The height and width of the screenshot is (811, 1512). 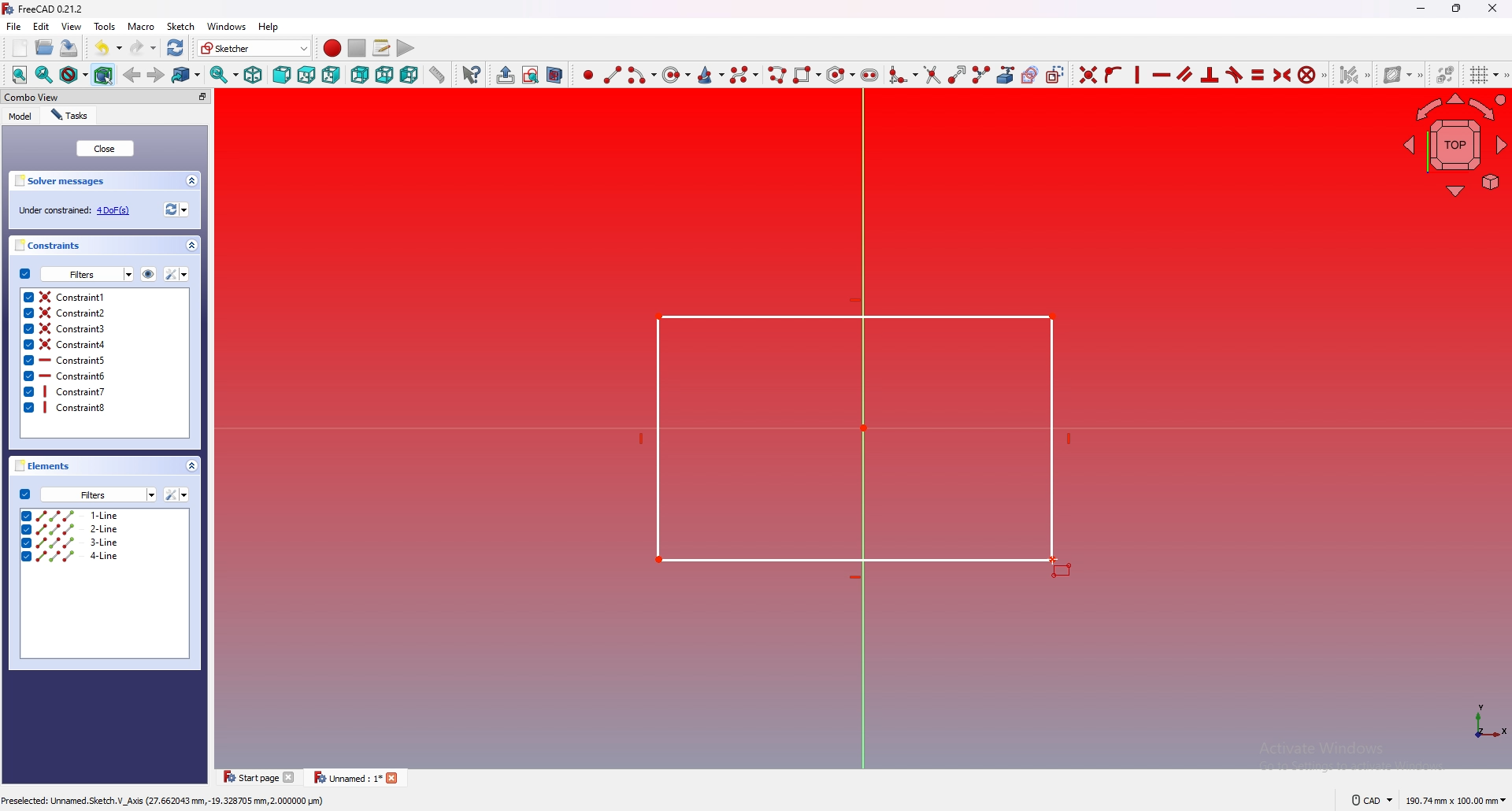 What do you see at coordinates (840, 74) in the screenshot?
I see `create regular polygon` at bounding box center [840, 74].